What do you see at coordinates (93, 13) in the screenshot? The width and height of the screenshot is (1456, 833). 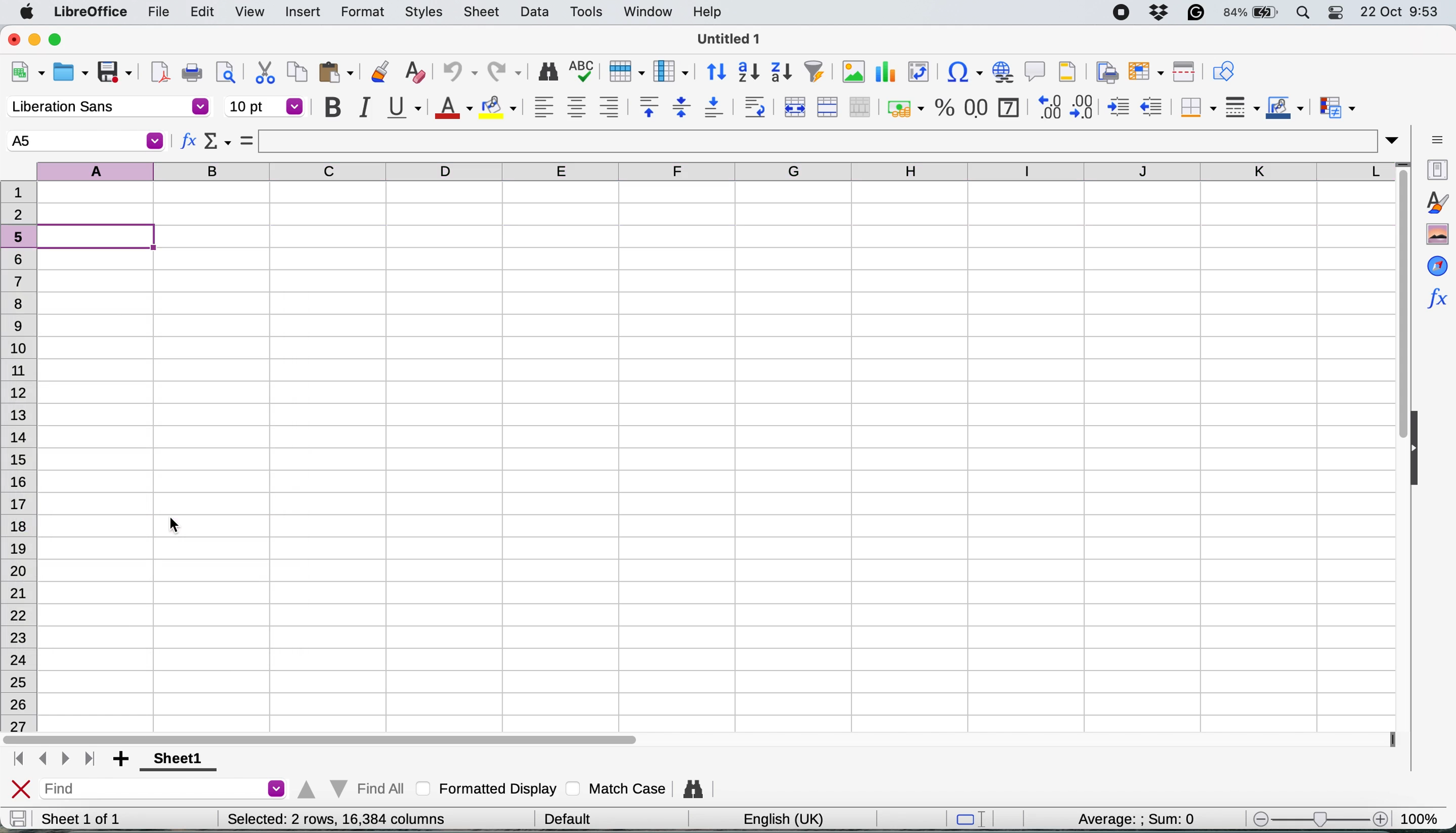 I see `libreoffice` at bounding box center [93, 13].